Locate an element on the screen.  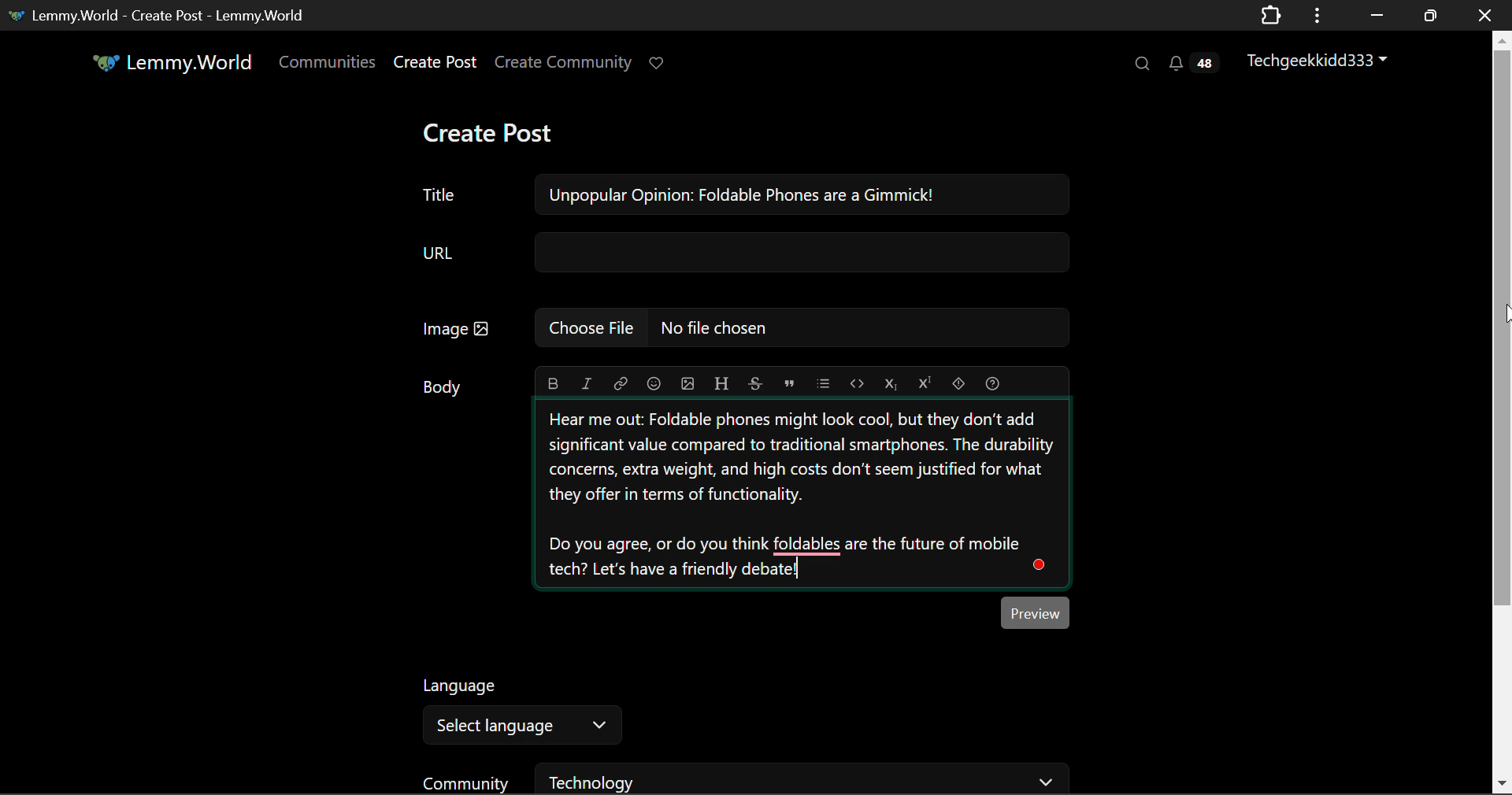
Post Preview Button is located at coordinates (1038, 612).